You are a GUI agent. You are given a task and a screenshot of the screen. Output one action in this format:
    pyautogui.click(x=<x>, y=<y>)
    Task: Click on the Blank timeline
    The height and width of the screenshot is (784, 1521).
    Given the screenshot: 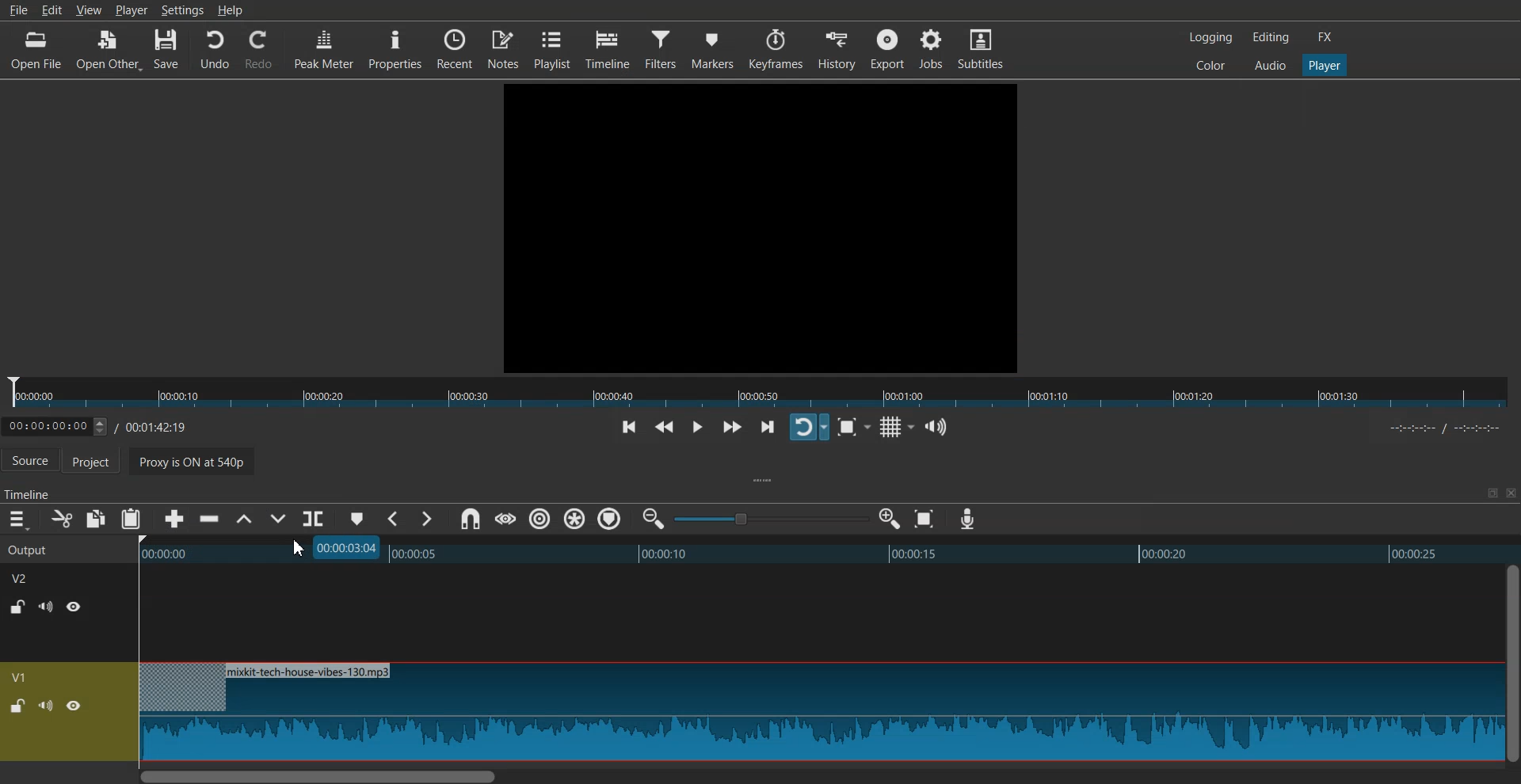 What is the action you would take?
    pyautogui.click(x=818, y=613)
    